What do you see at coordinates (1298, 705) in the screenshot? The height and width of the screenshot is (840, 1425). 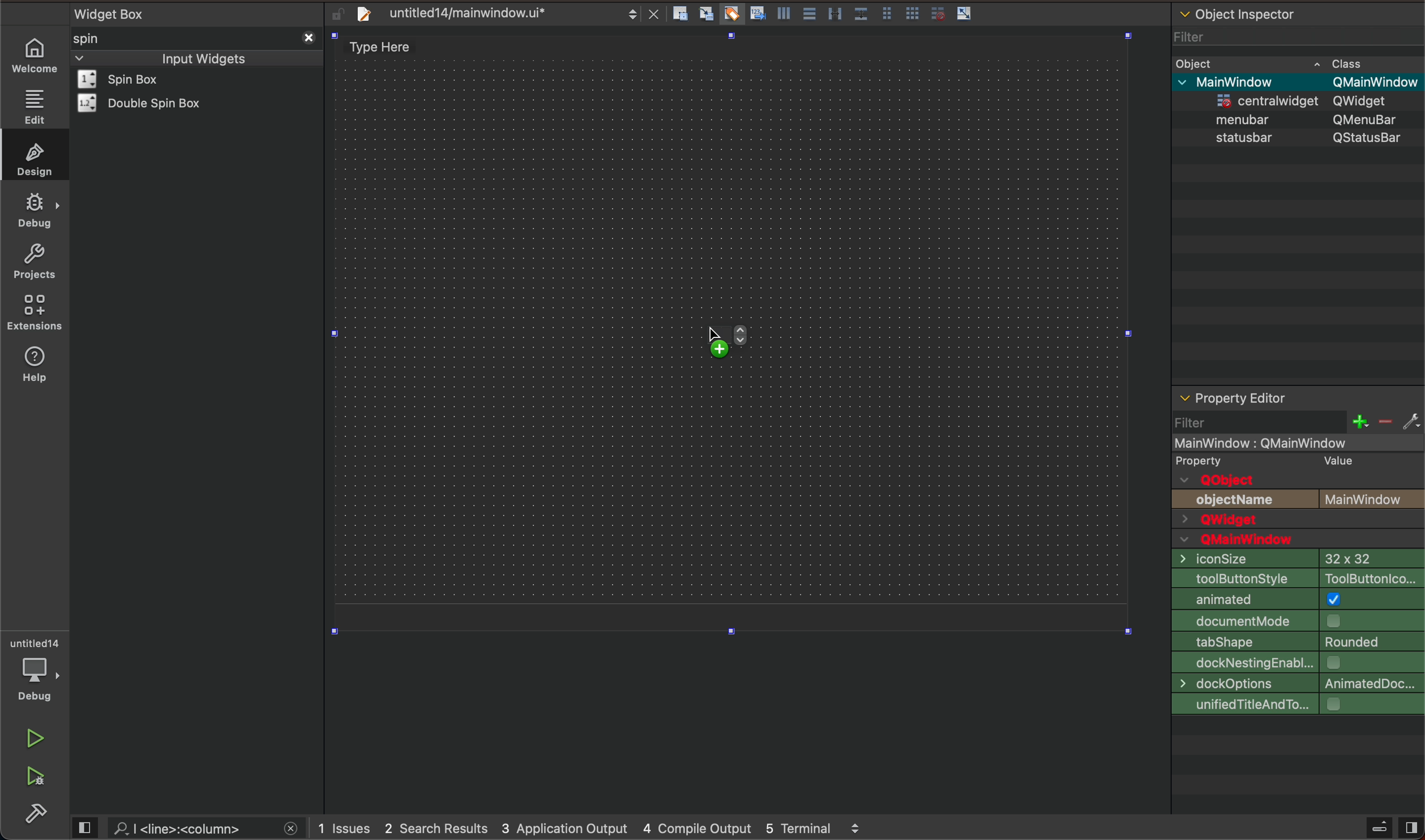 I see `unified title` at bounding box center [1298, 705].